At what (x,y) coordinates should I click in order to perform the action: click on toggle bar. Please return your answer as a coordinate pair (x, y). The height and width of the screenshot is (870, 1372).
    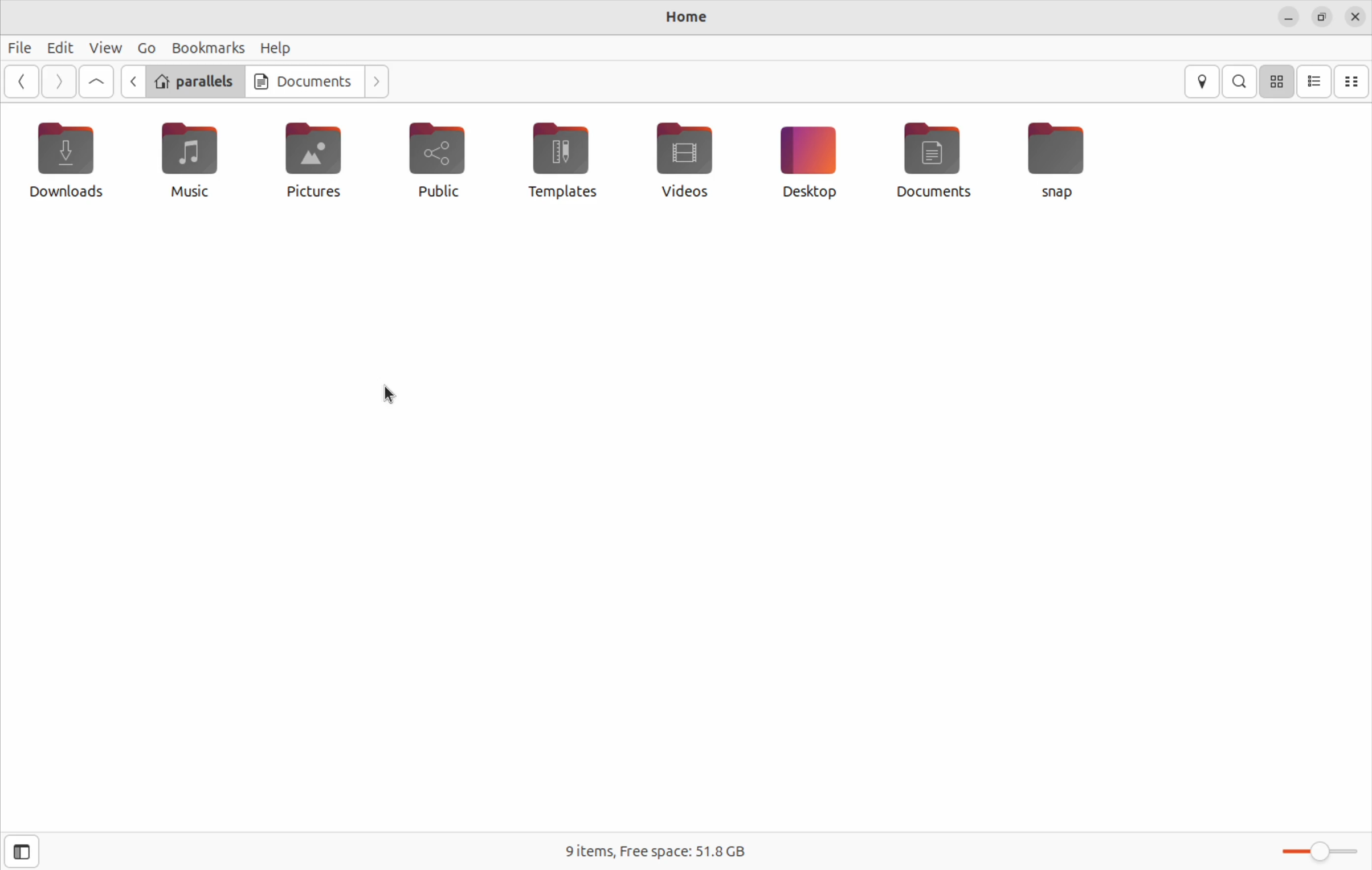
    Looking at the image, I should click on (1317, 851).